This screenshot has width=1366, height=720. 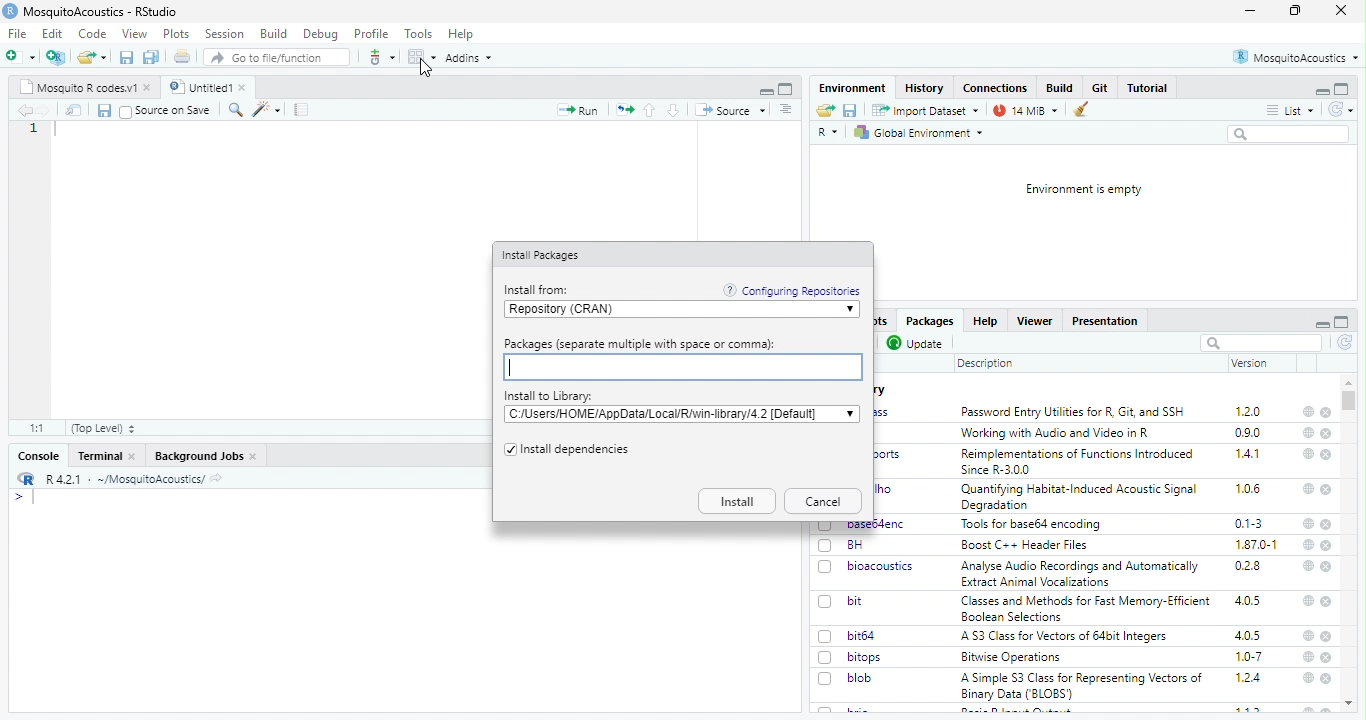 I want to click on web, so click(x=1310, y=433).